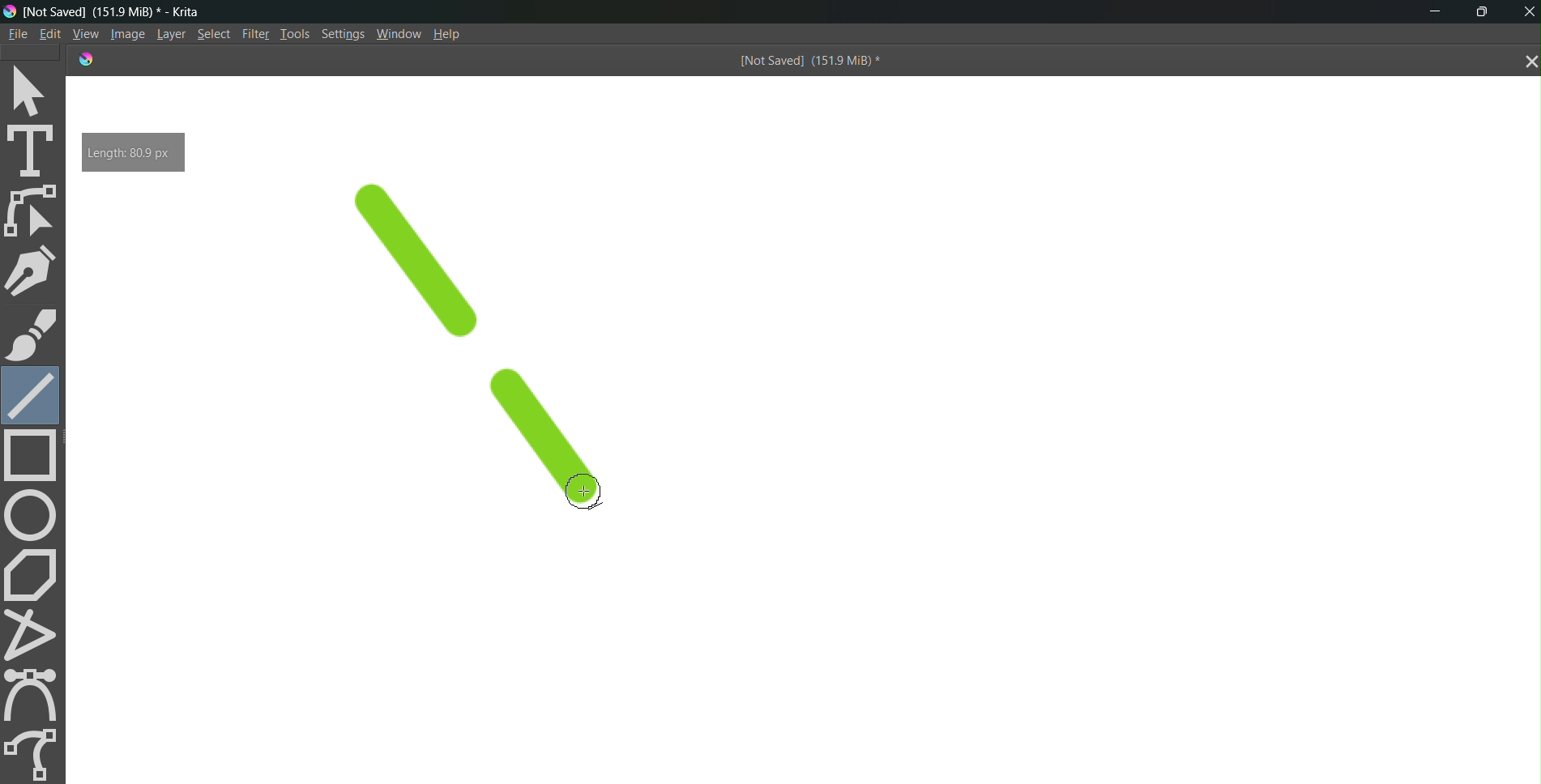  I want to click on Close, so click(1526, 11).